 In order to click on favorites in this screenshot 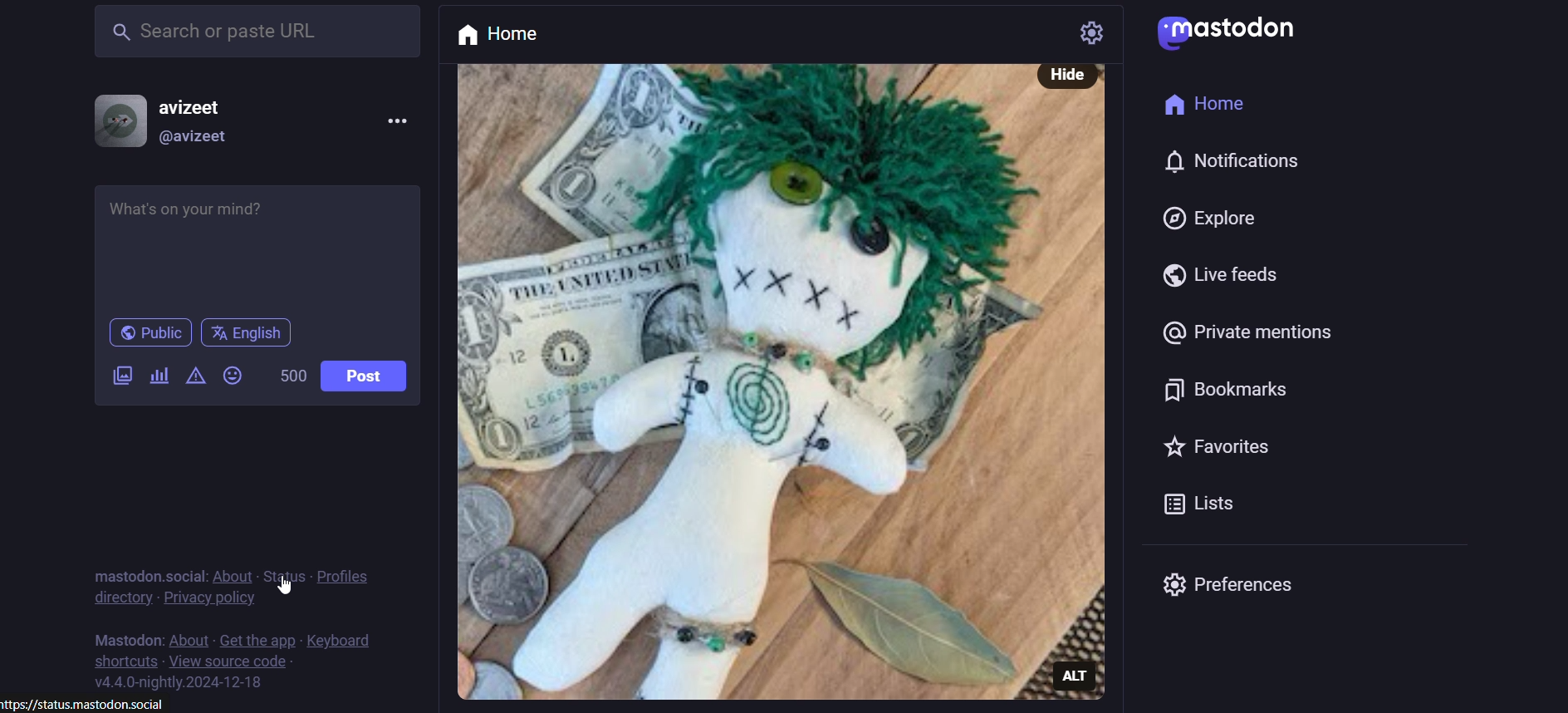, I will do `click(1212, 448)`.